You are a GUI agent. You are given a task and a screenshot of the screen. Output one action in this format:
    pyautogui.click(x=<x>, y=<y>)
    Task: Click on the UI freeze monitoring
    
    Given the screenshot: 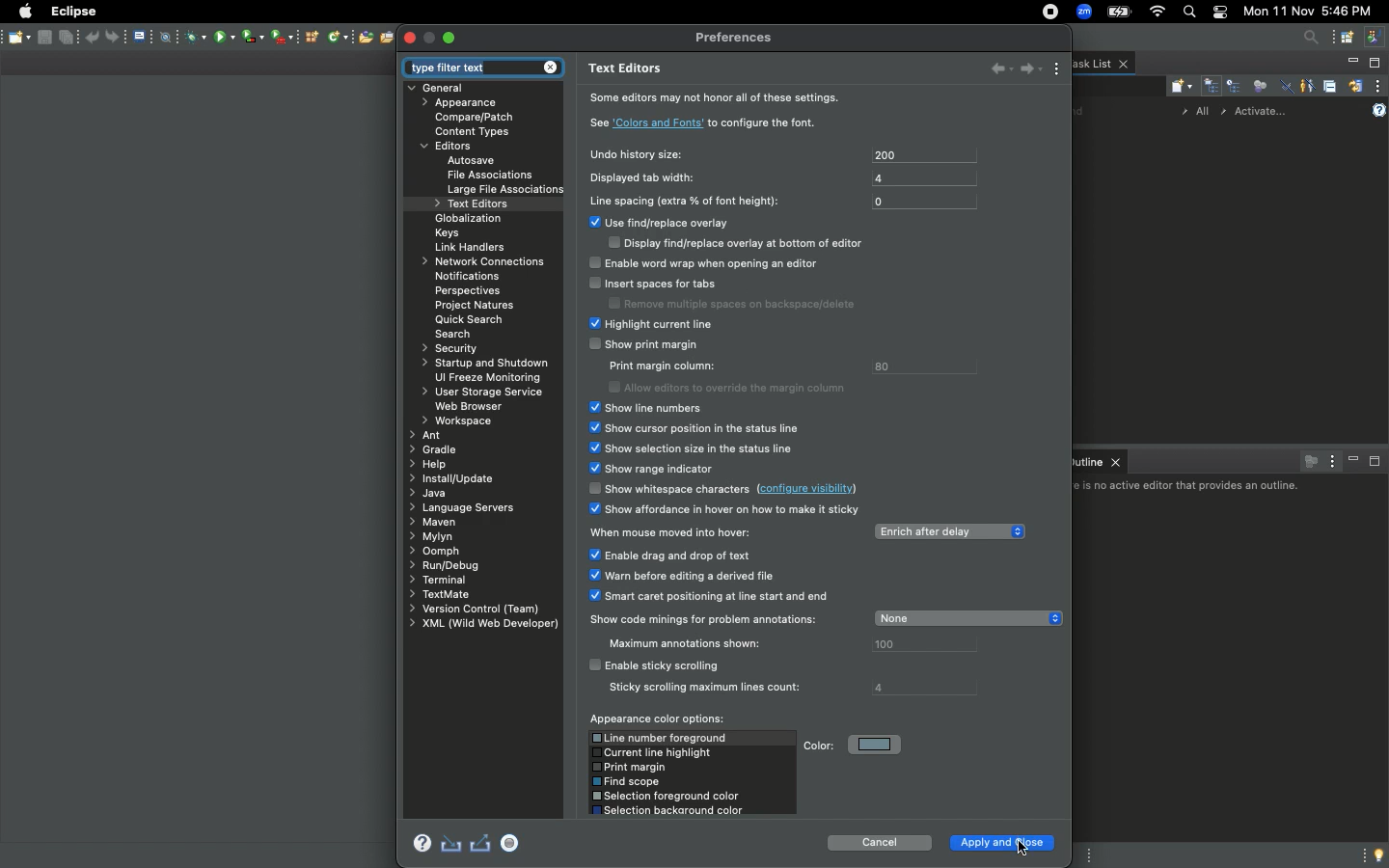 What is the action you would take?
    pyautogui.click(x=485, y=378)
    